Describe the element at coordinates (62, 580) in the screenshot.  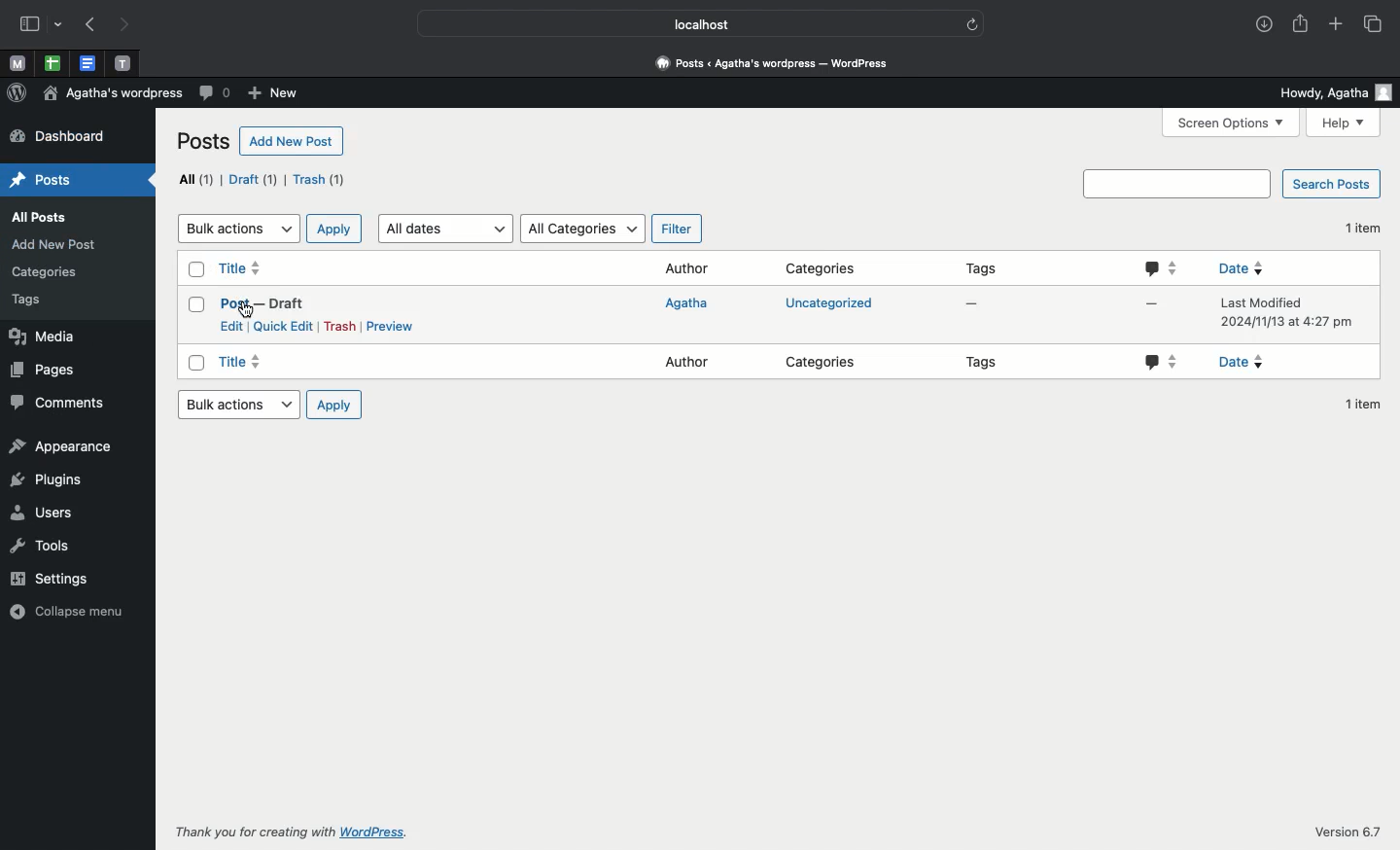
I see `Settings` at that location.